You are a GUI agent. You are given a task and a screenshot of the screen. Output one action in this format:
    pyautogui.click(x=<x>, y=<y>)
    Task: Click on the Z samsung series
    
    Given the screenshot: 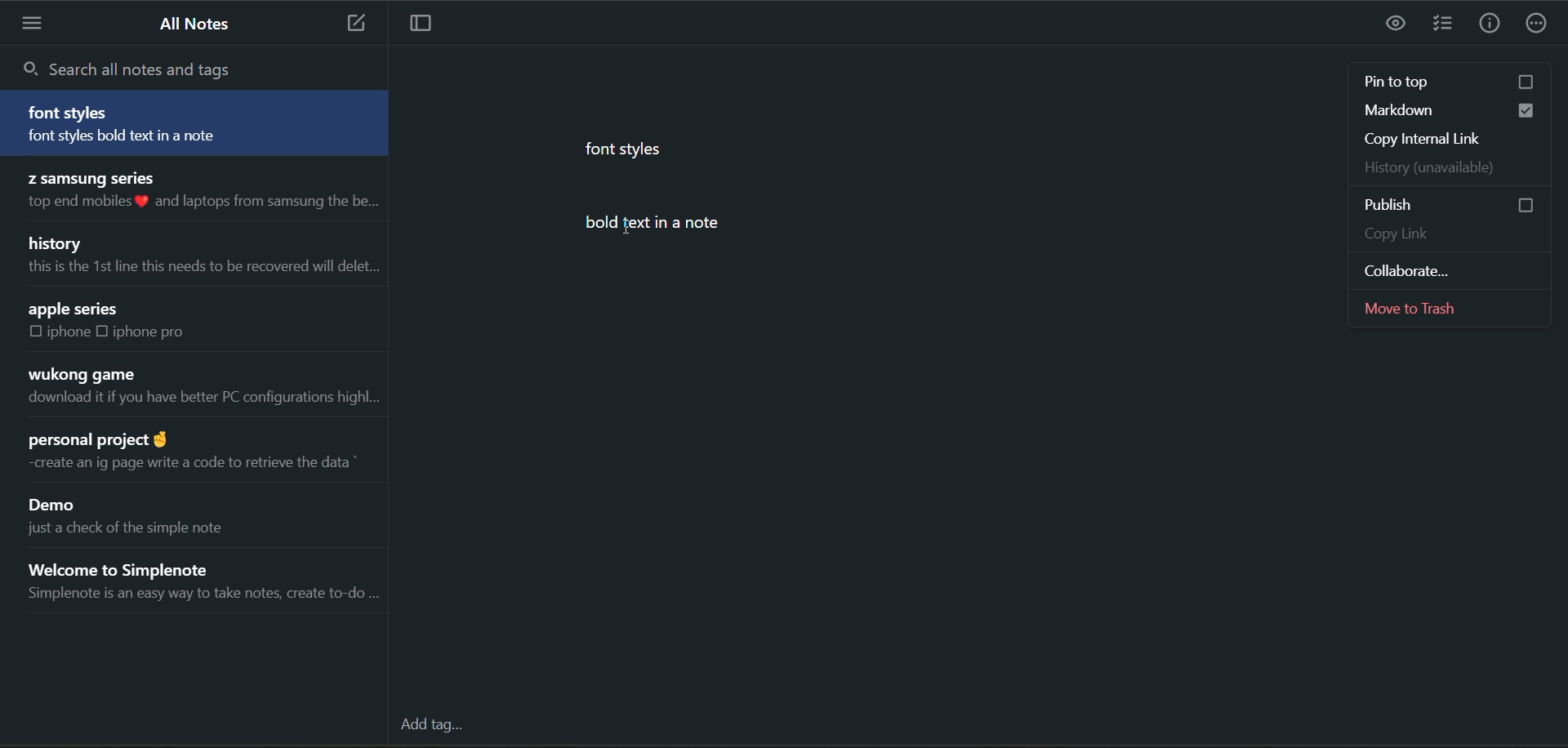 What is the action you would take?
    pyautogui.click(x=89, y=176)
    